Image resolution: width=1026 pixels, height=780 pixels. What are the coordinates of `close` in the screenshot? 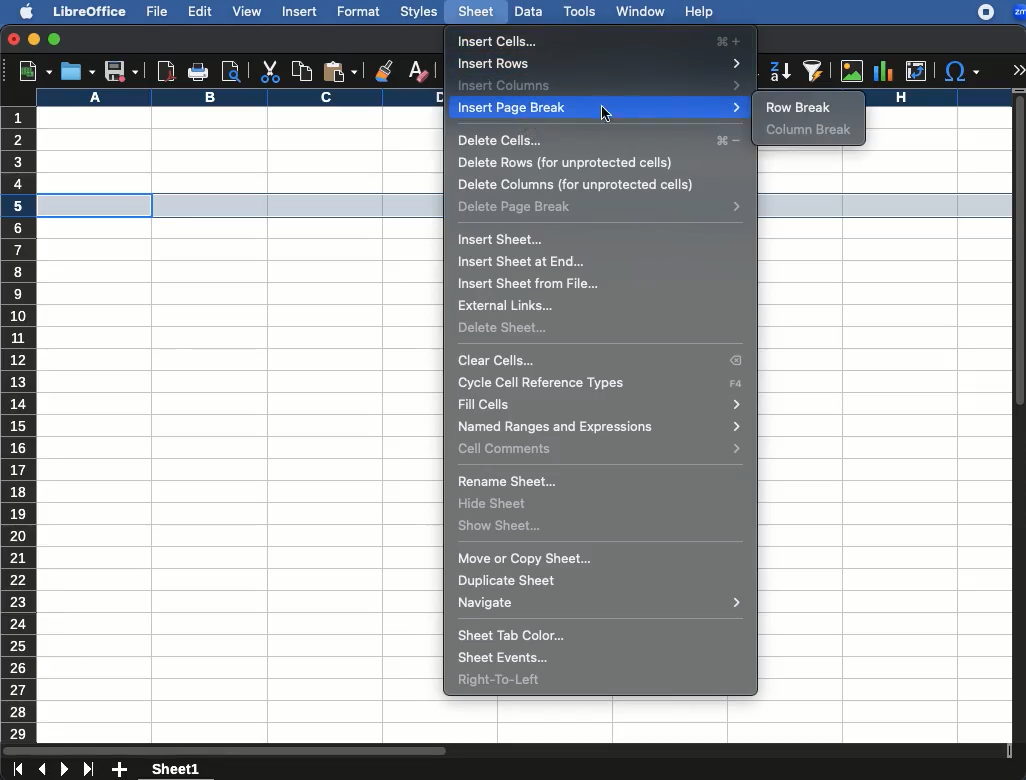 It's located at (12, 39).